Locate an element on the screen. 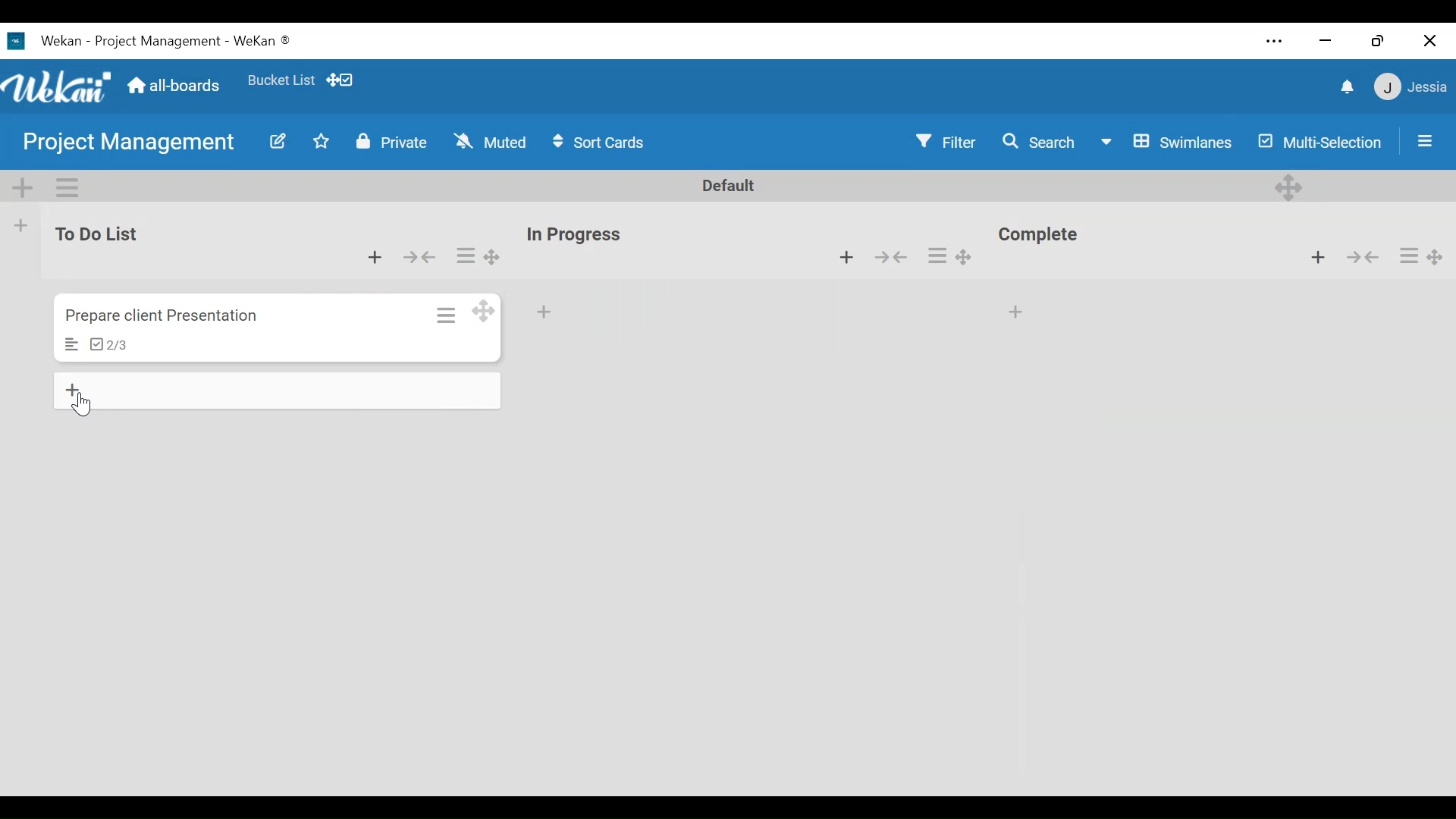  Toggle favorites is located at coordinates (322, 144).